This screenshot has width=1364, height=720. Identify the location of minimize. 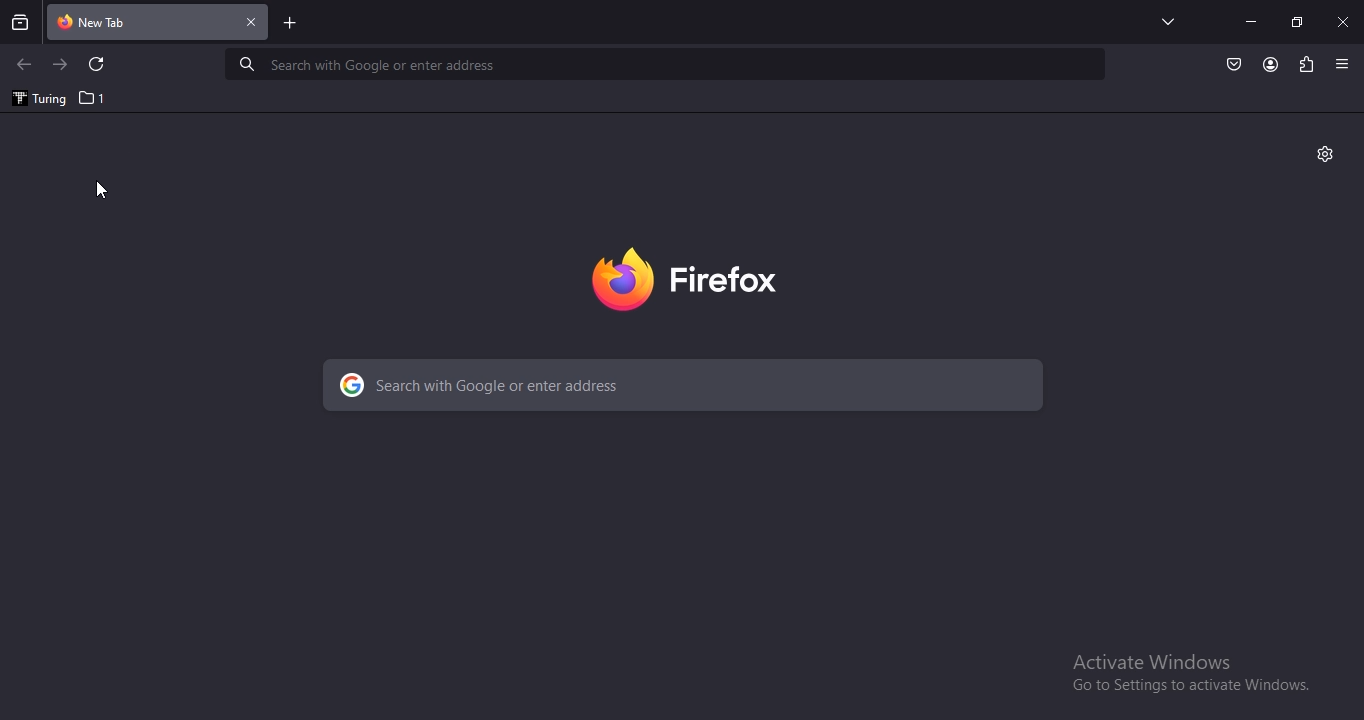
(1251, 22).